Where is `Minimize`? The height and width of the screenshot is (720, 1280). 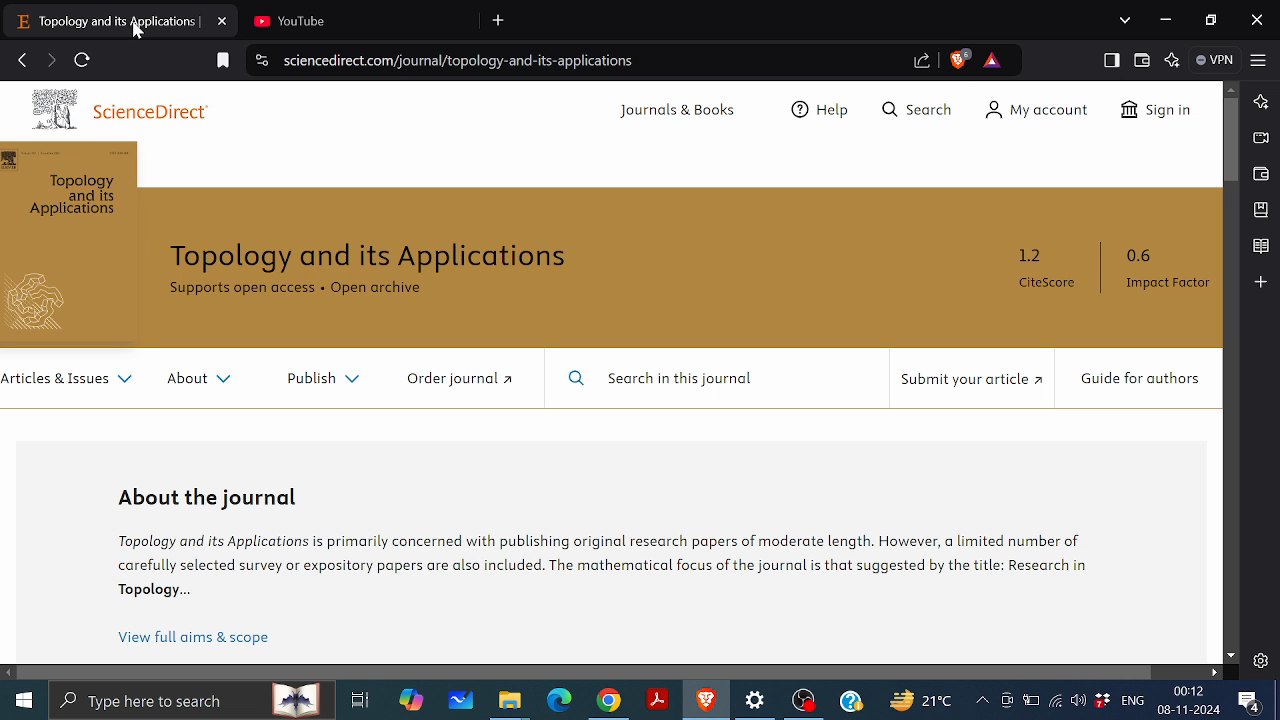 Minimize is located at coordinates (1164, 18).